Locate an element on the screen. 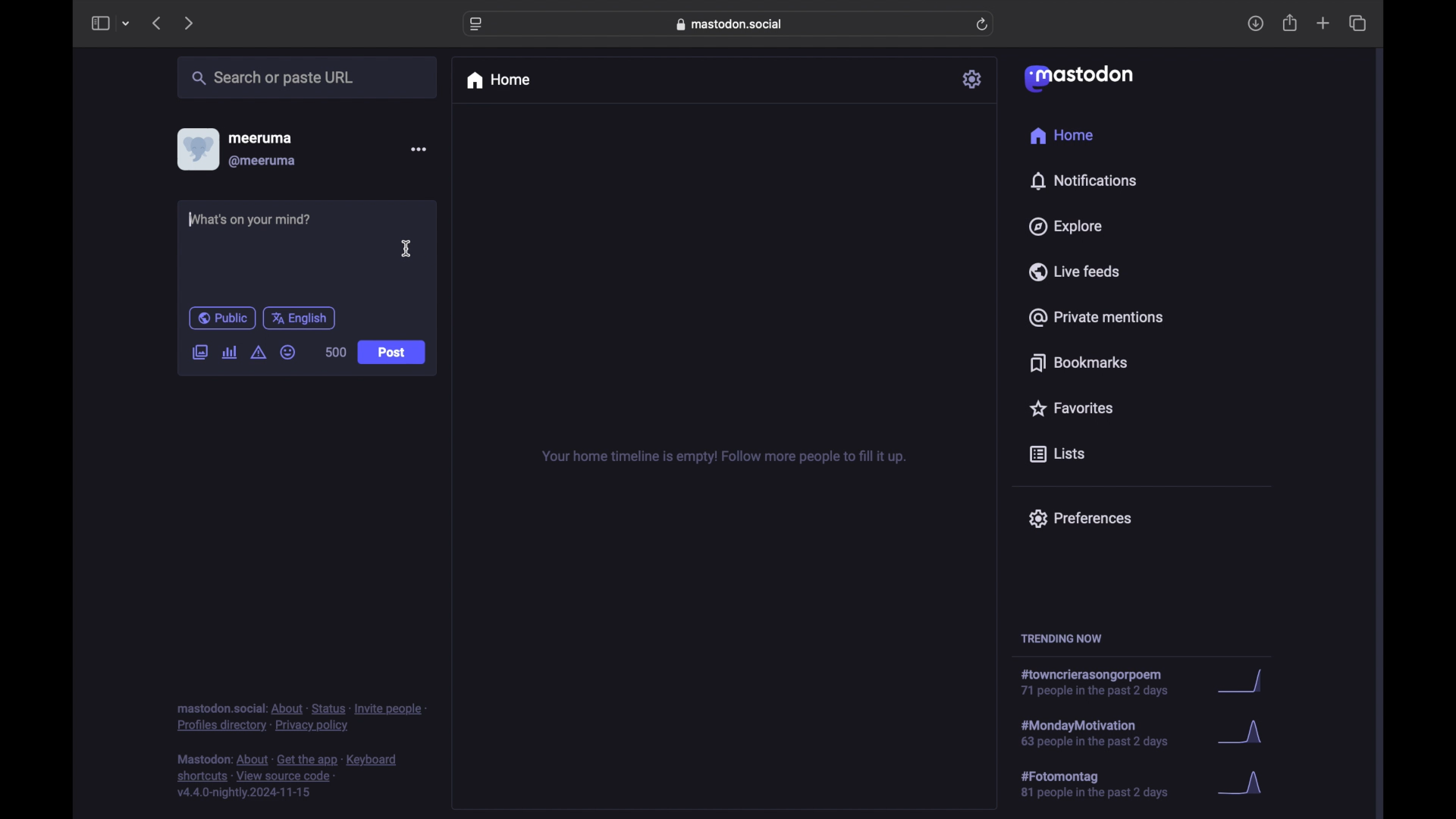 Image resolution: width=1456 pixels, height=819 pixels. lists is located at coordinates (1057, 455).